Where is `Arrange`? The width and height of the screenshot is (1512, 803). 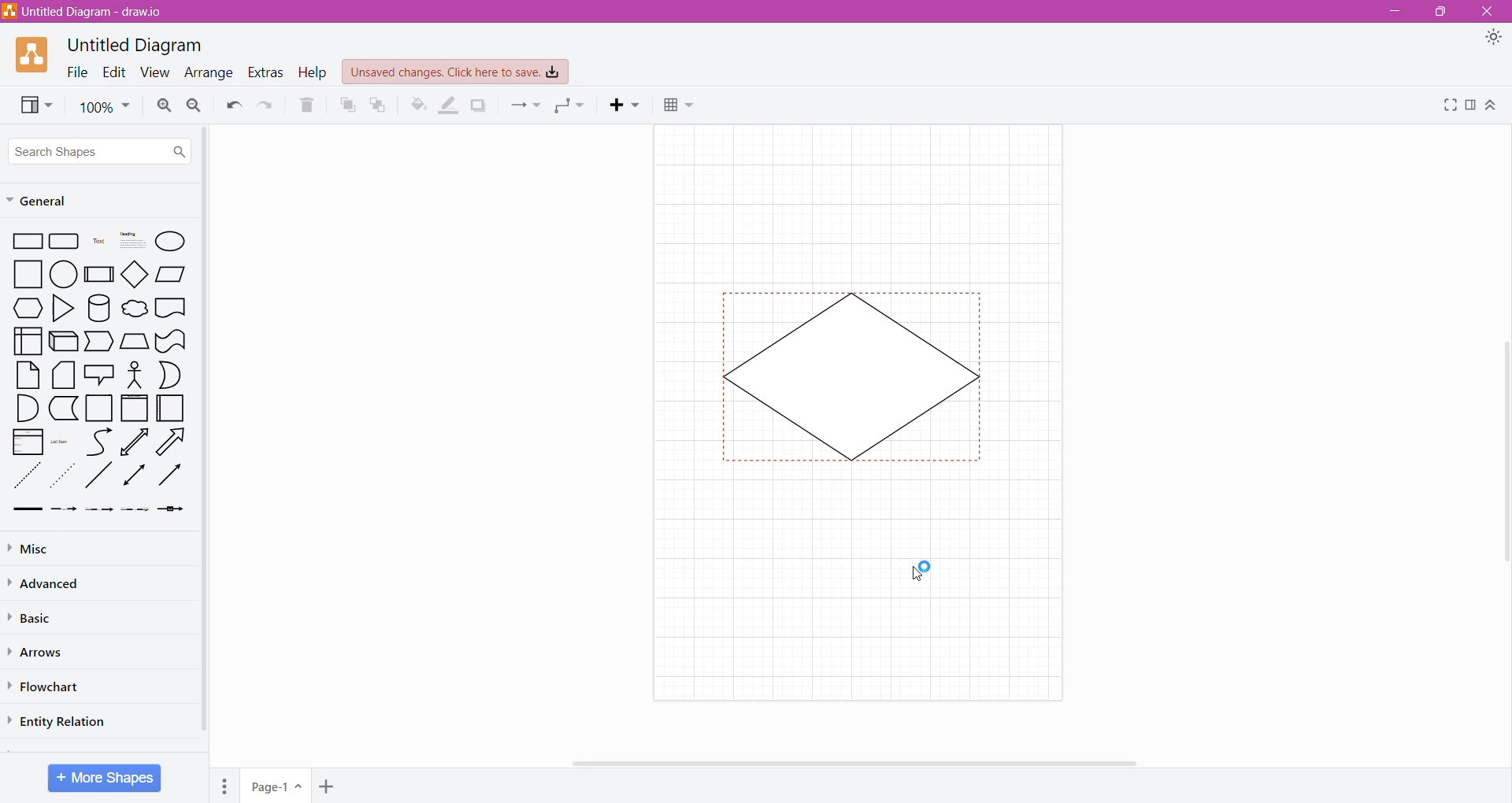 Arrange is located at coordinates (209, 74).